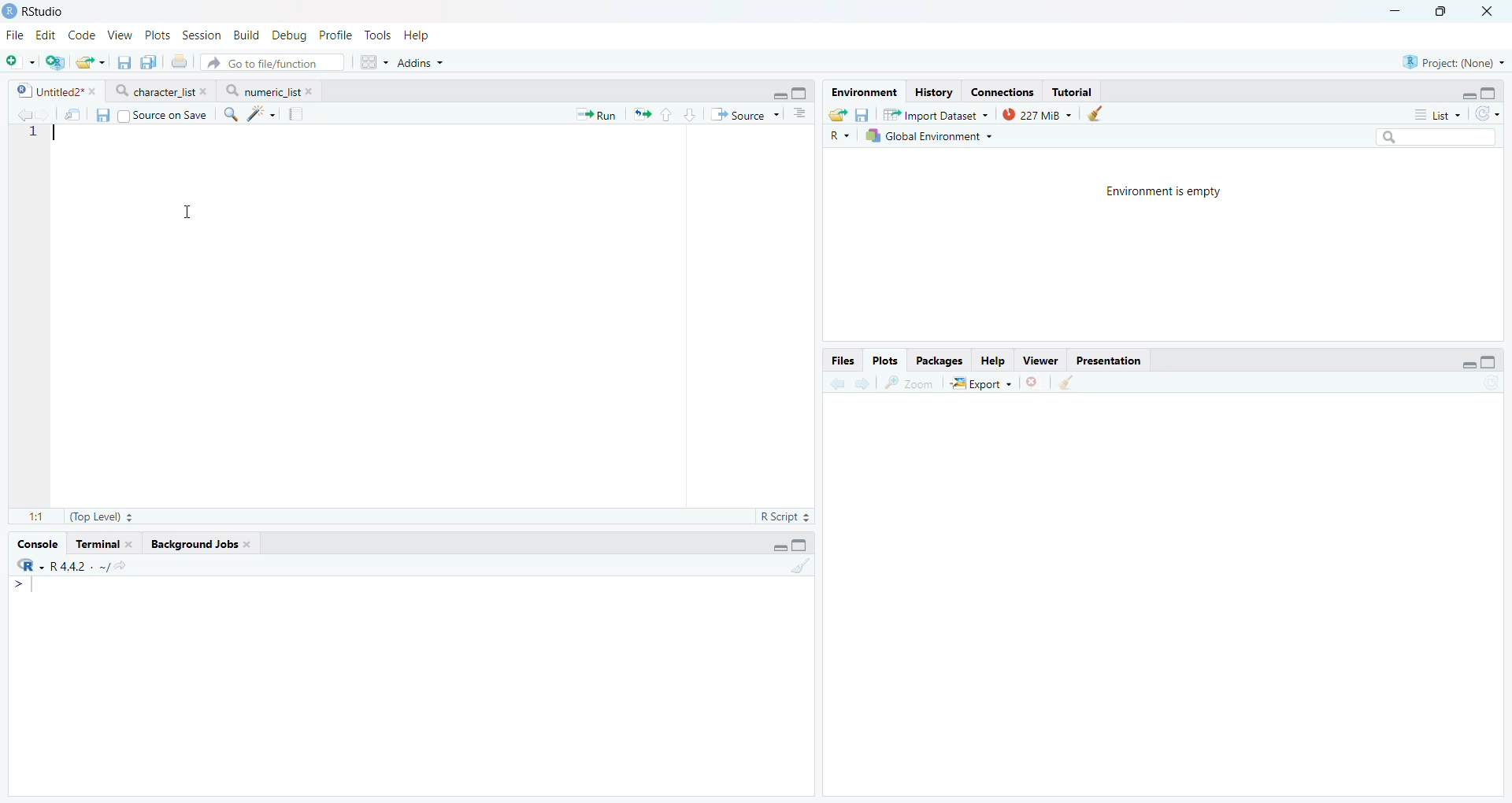  I want to click on View, so click(119, 33).